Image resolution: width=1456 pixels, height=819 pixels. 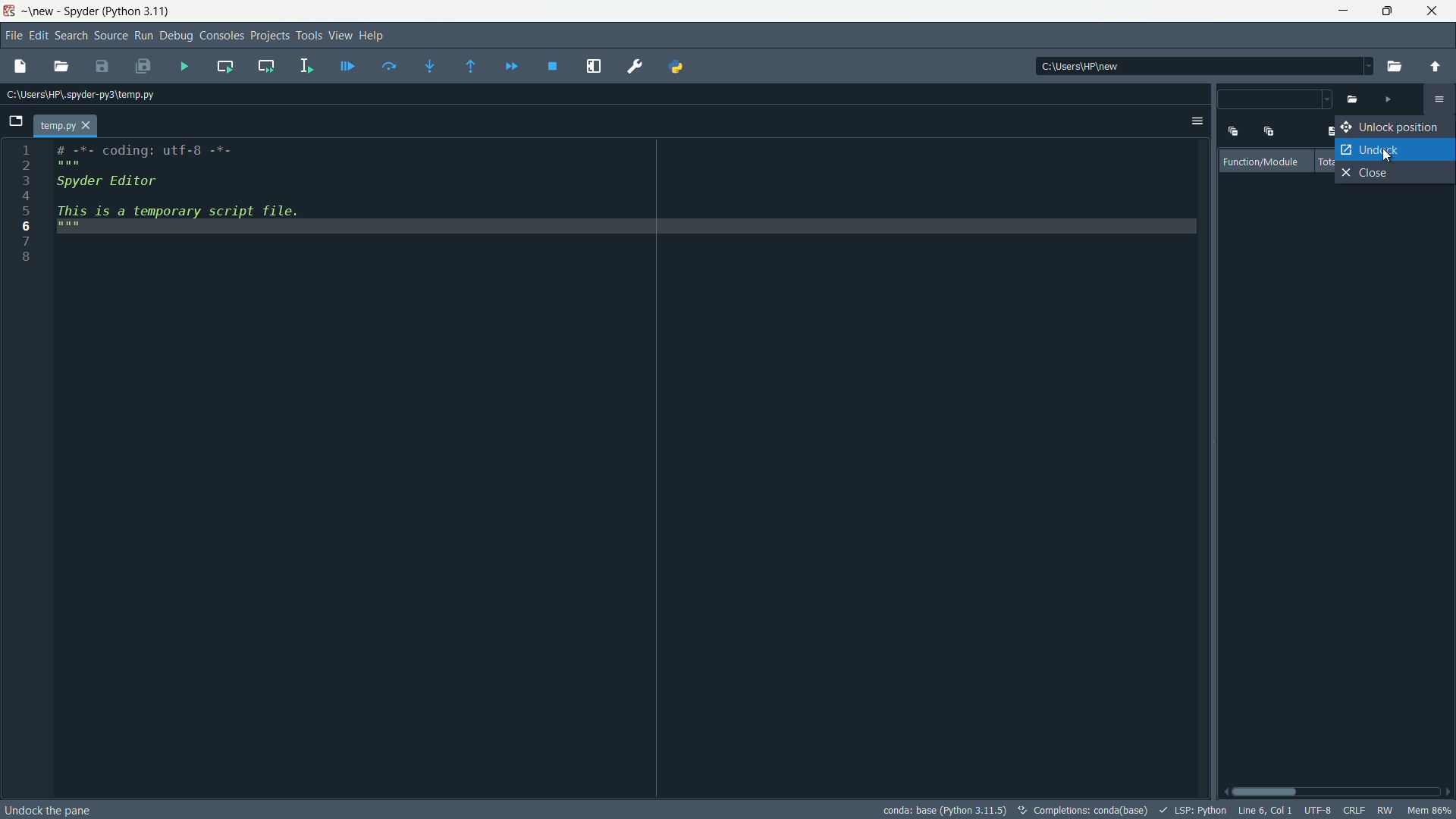 What do you see at coordinates (40, 11) in the screenshot?
I see `new` at bounding box center [40, 11].